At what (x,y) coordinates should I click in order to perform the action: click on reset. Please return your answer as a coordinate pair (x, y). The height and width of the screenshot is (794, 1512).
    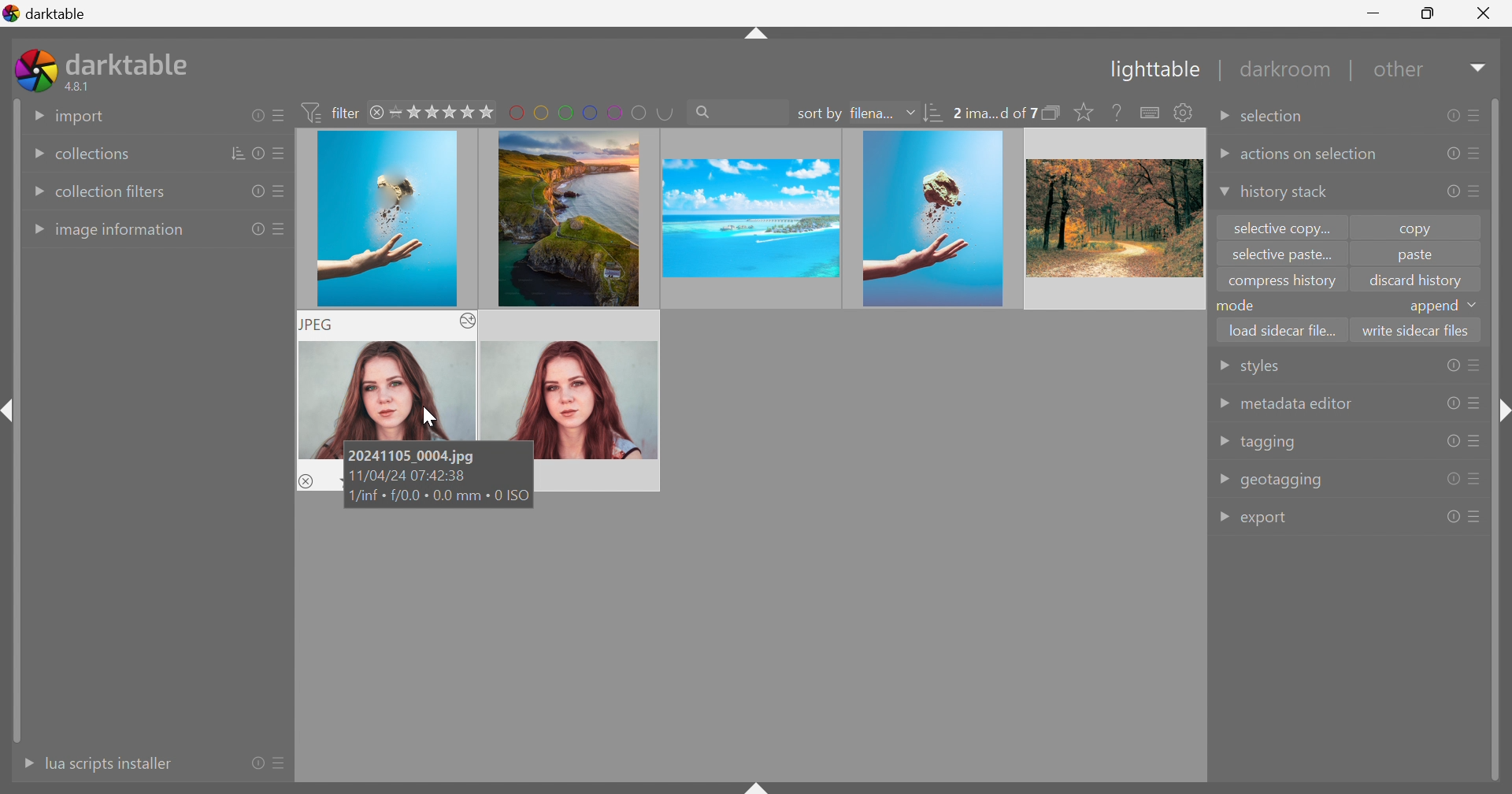
    Looking at the image, I should click on (1453, 480).